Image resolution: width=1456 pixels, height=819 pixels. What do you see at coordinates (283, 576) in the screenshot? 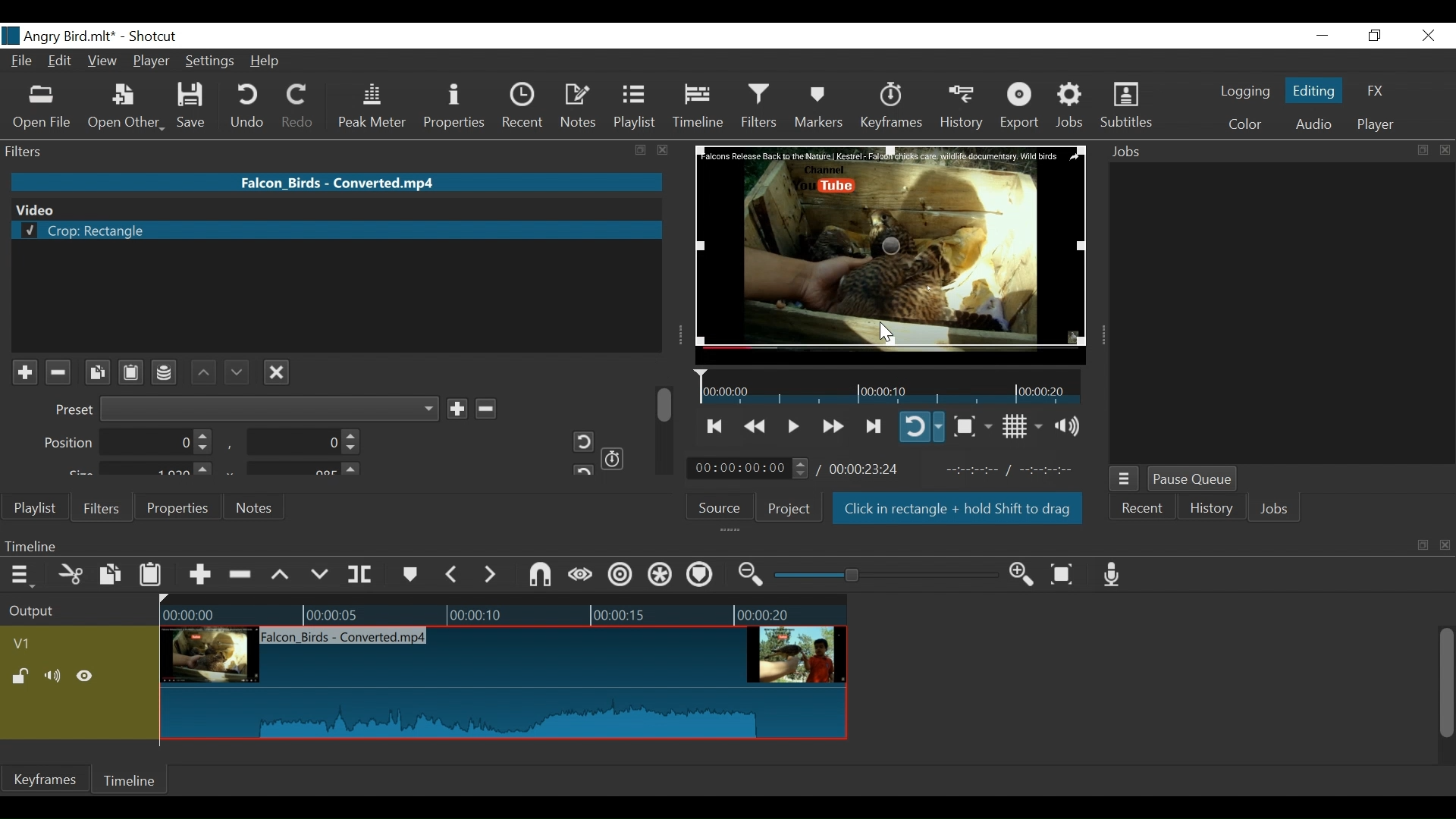
I see `Lift` at bounding box center [283, 576].